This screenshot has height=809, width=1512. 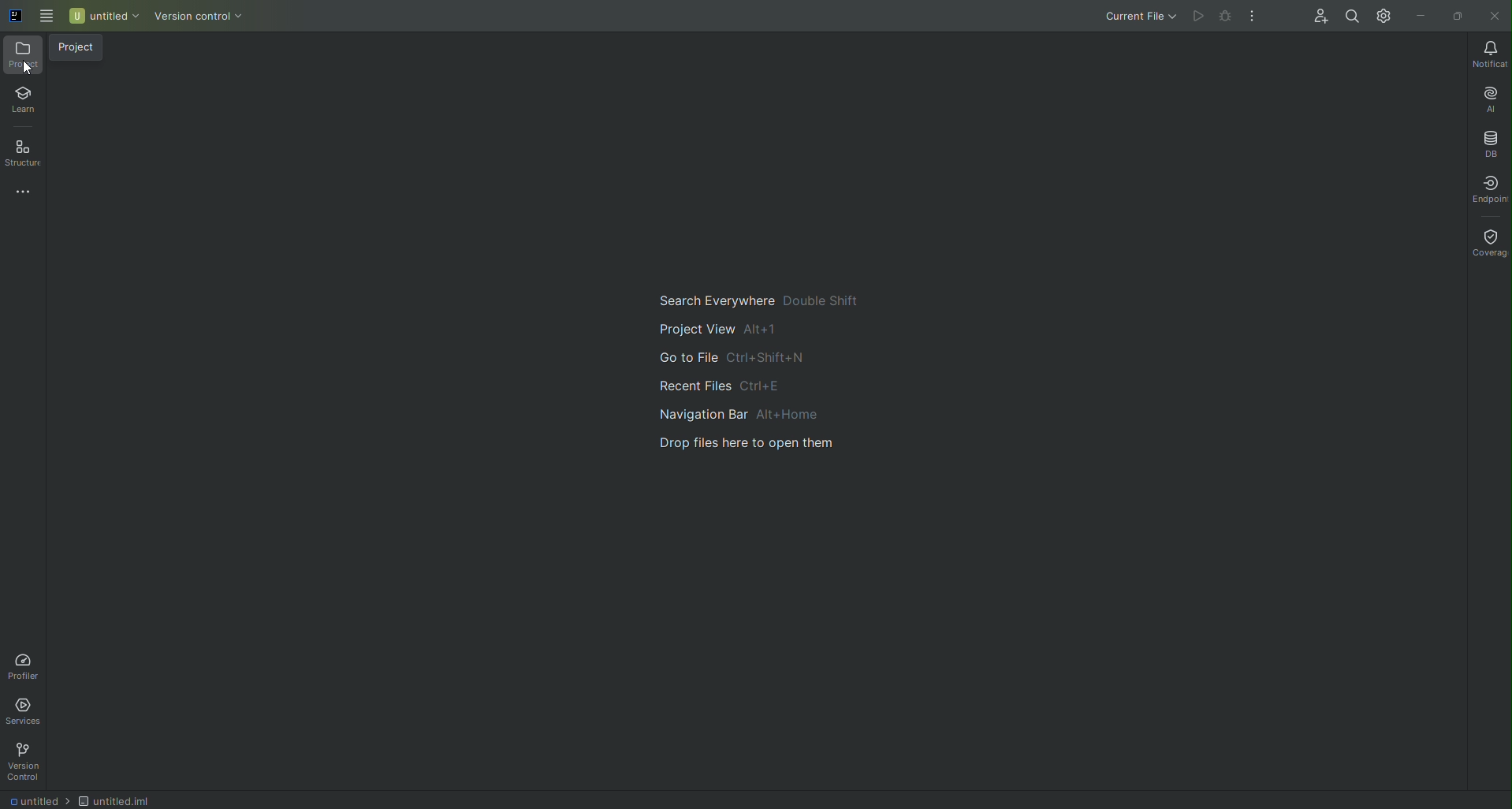 What do you see at coordinates (18, 191) in the screenshot?
I see `More Tools` at bounding box center [18, 191].